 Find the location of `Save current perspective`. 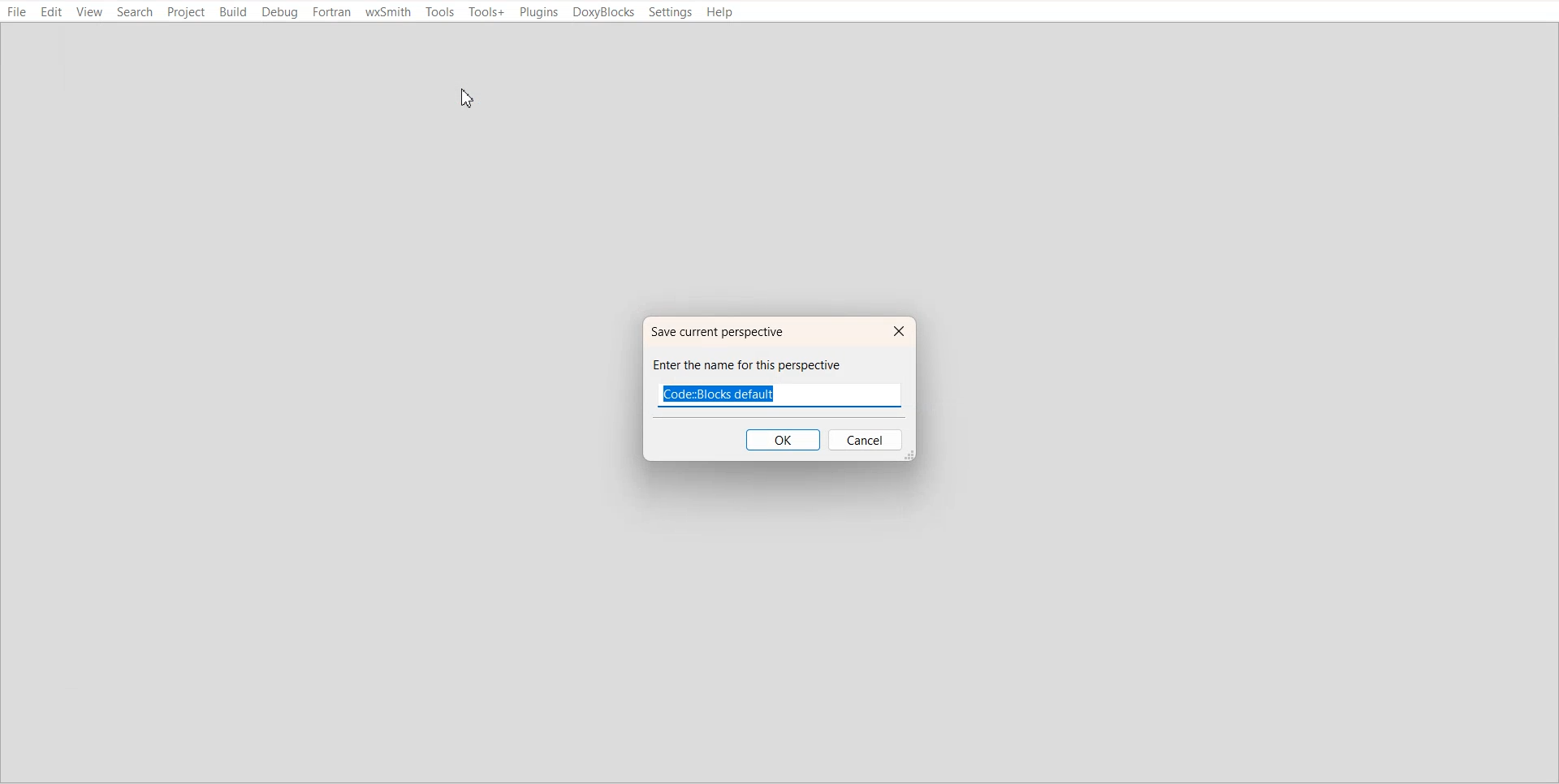

Save current perspective is located at coordinates (727, 331).